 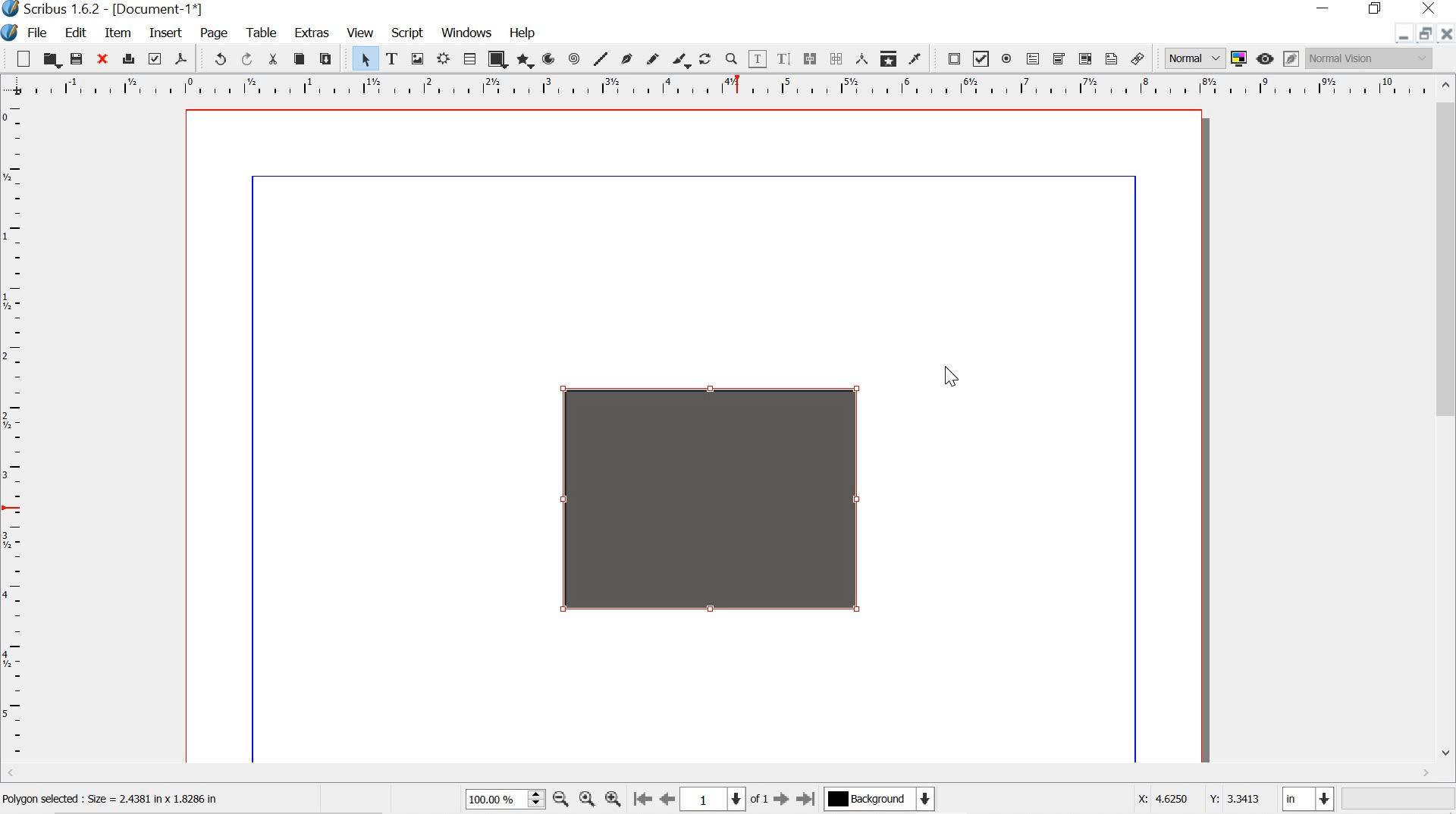 I want to click on pdf list box, so click(x=1084, y=58).